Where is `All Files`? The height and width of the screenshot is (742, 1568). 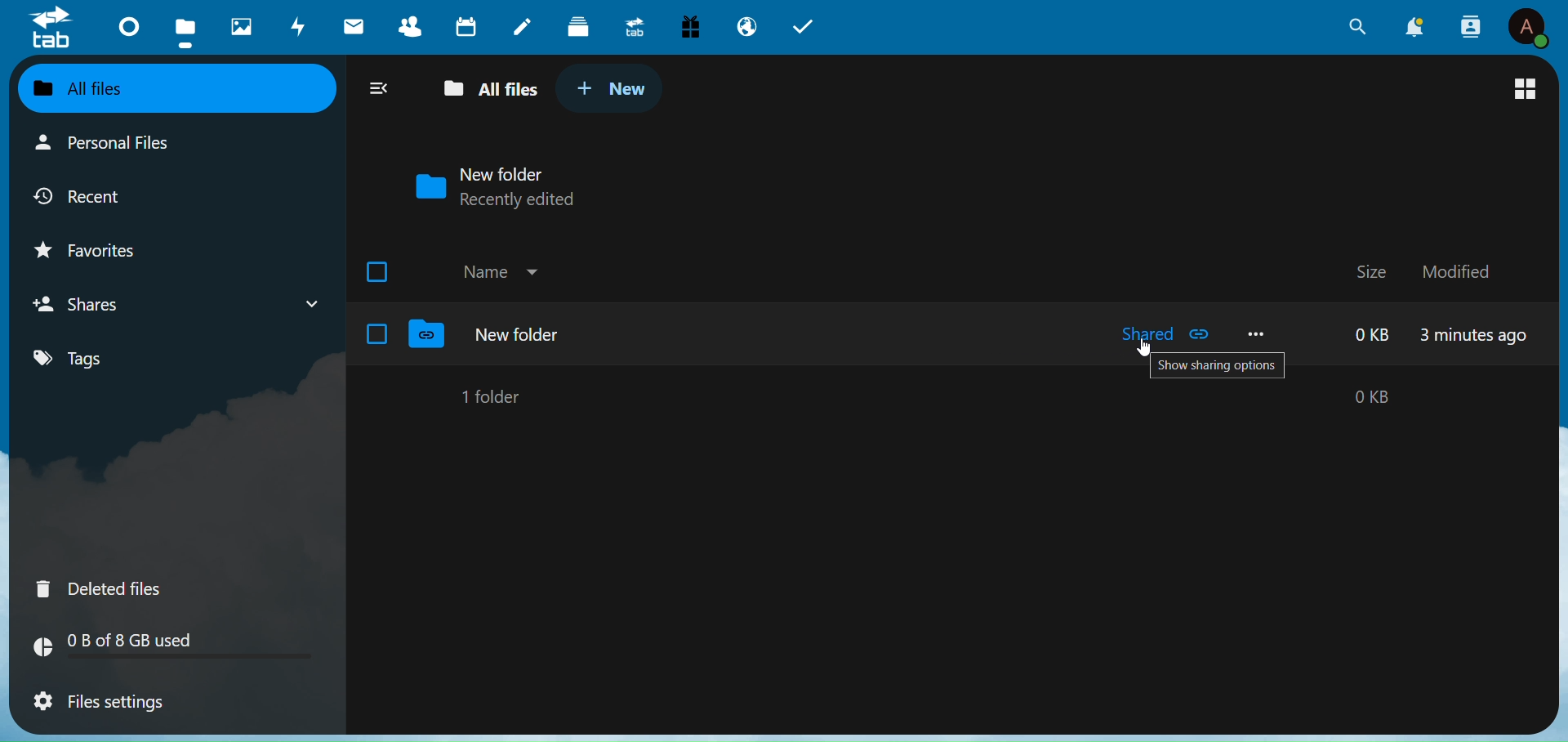
All Files is located at coordinates (106, 88).